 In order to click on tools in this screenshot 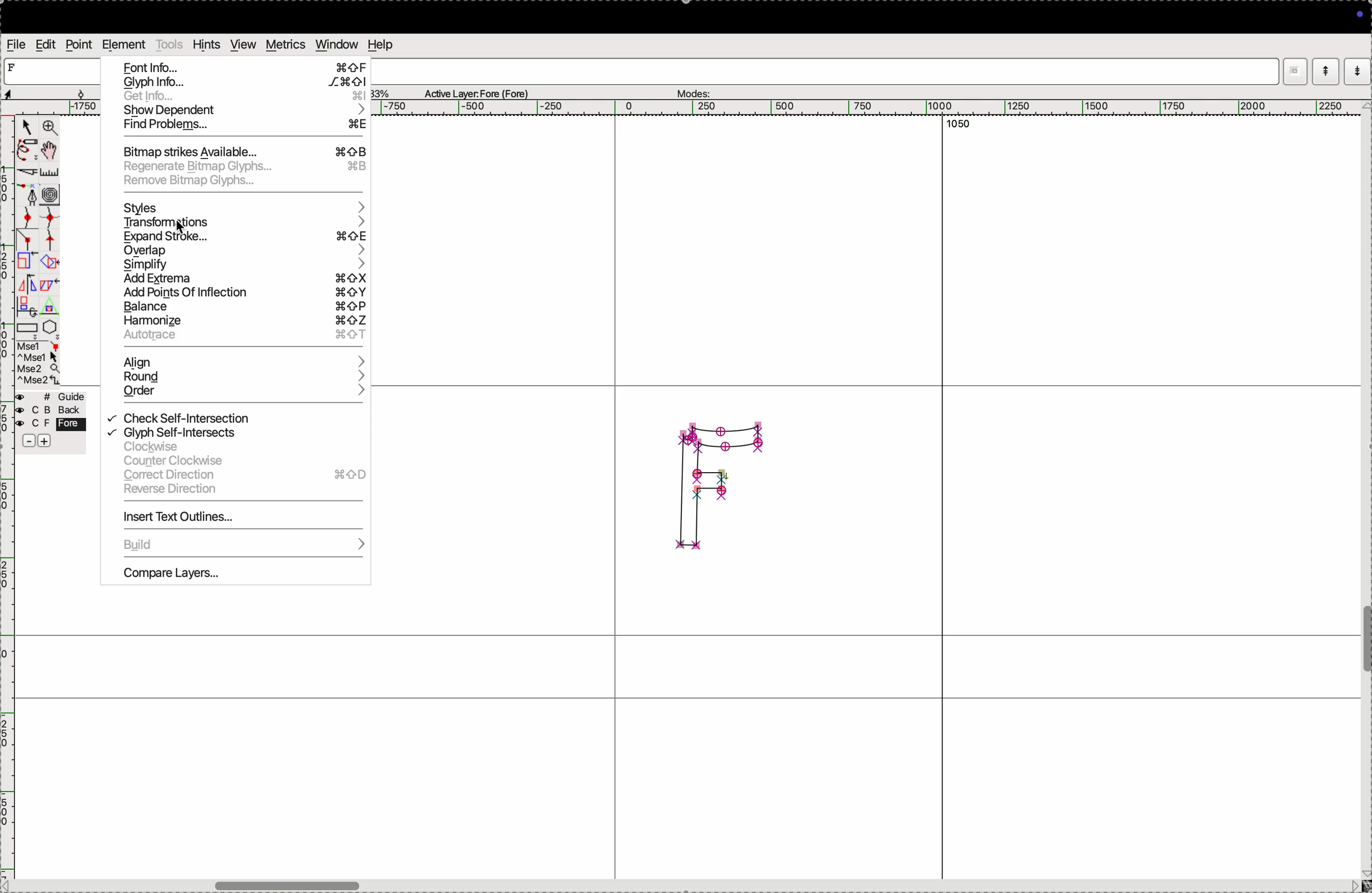, I will do `click(169, 44)`.